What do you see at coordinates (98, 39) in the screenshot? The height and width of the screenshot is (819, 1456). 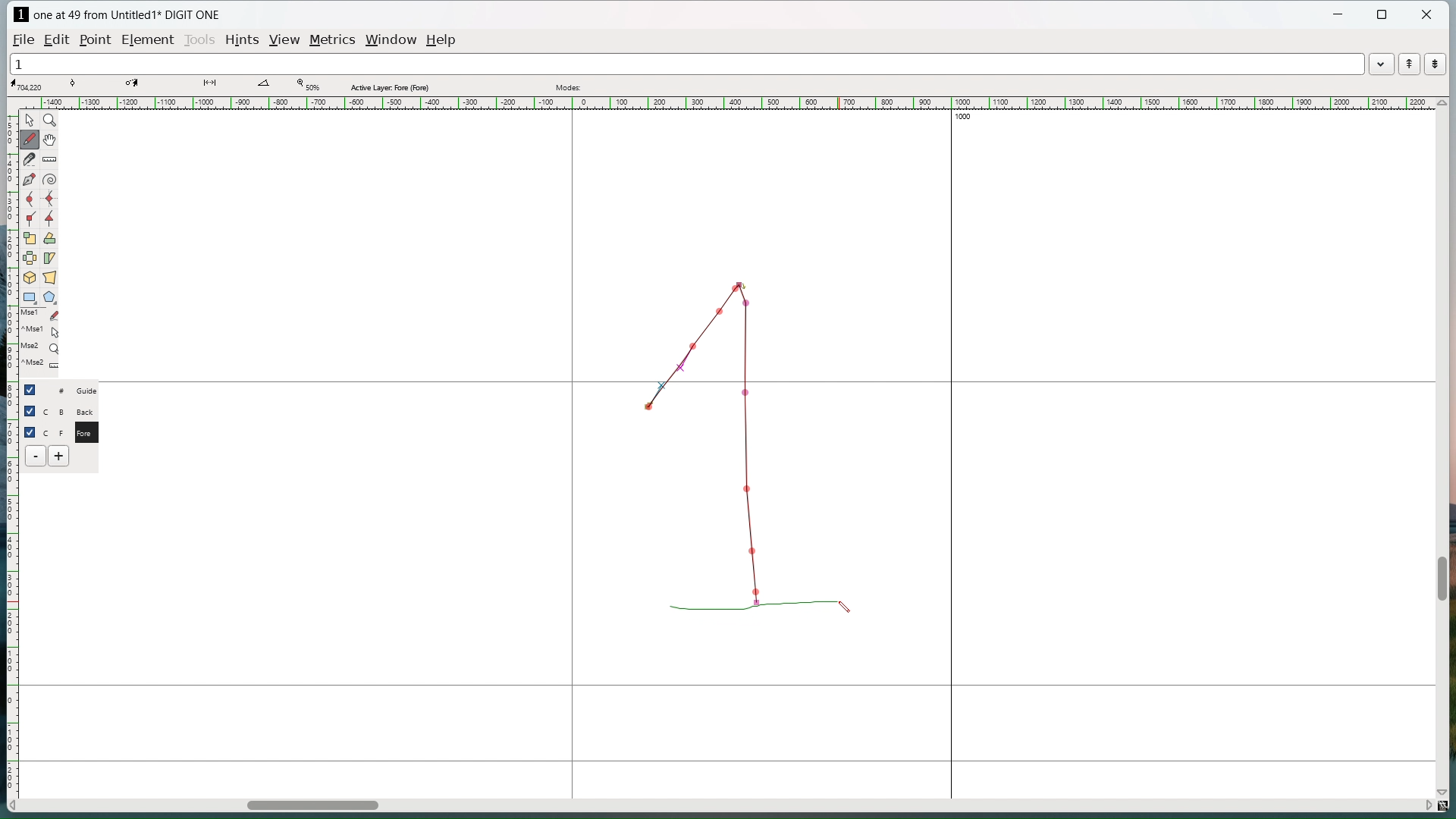 I see `Point` at bounding box center [98, 39].